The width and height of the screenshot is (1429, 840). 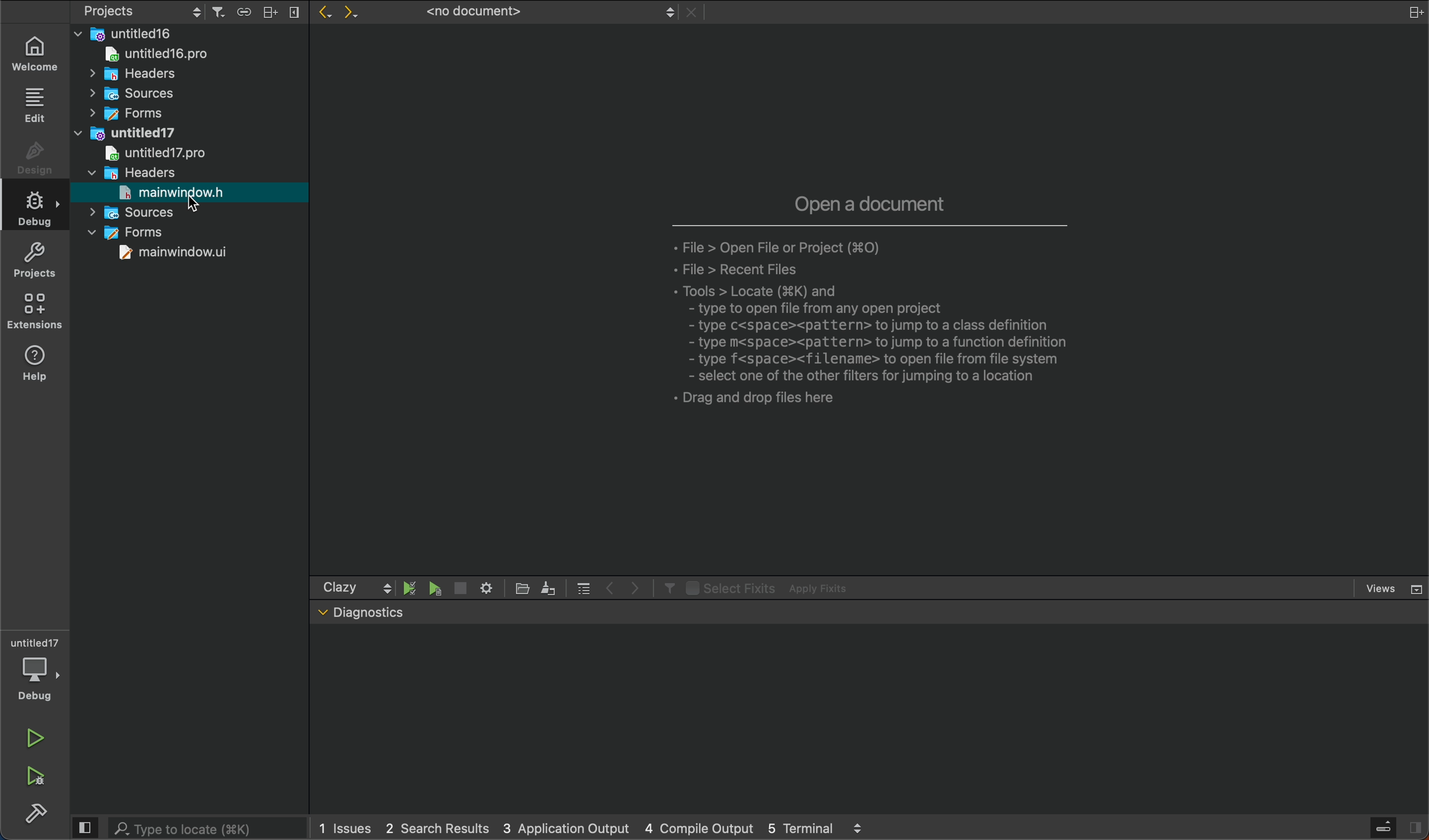 I want to click on Arrange, so click(x=267, y=11).